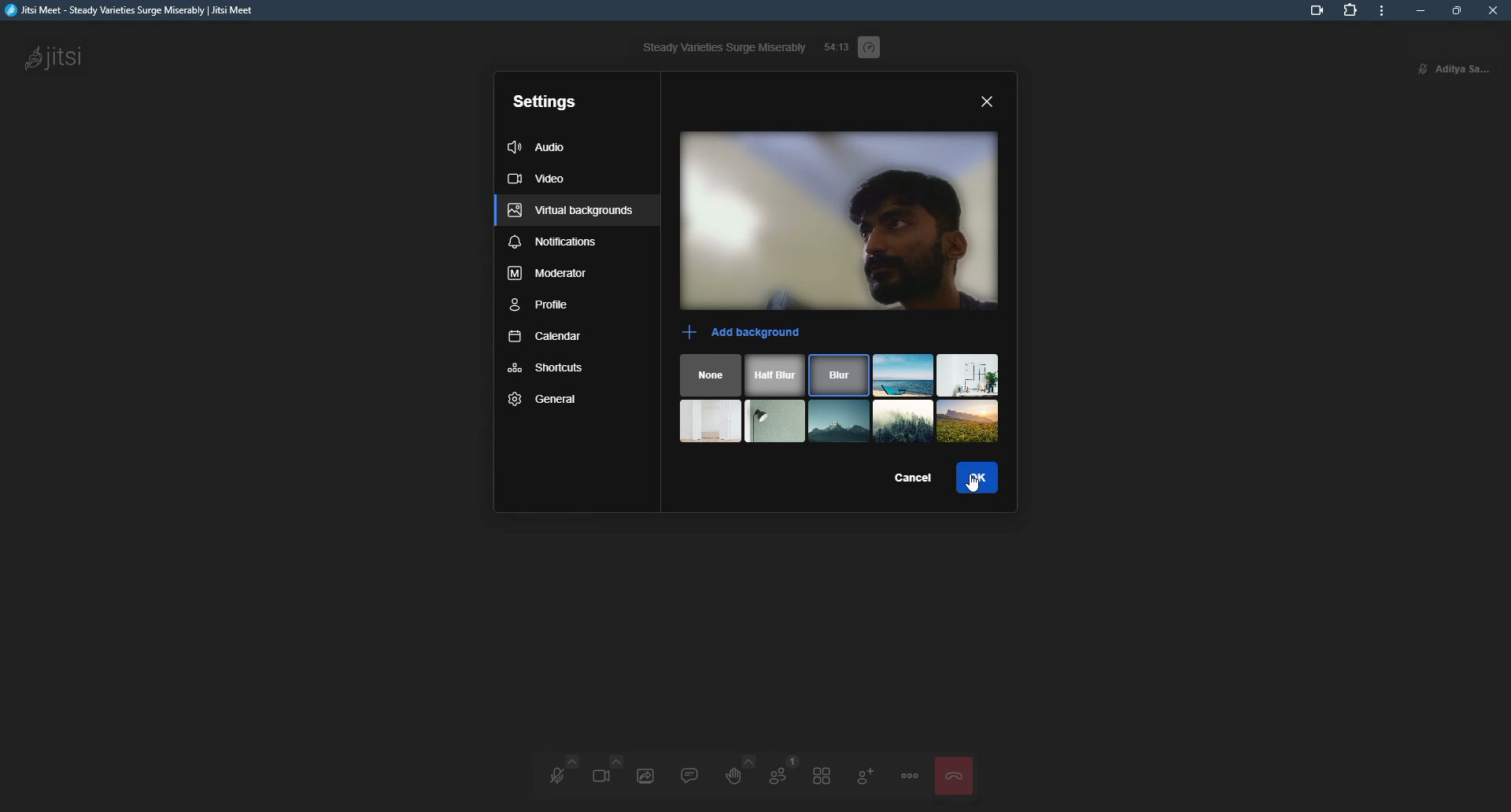  What do you see at coordinates (839, 223) in the screenshot?
I see `video blurred` at bounding box center [839, 223].